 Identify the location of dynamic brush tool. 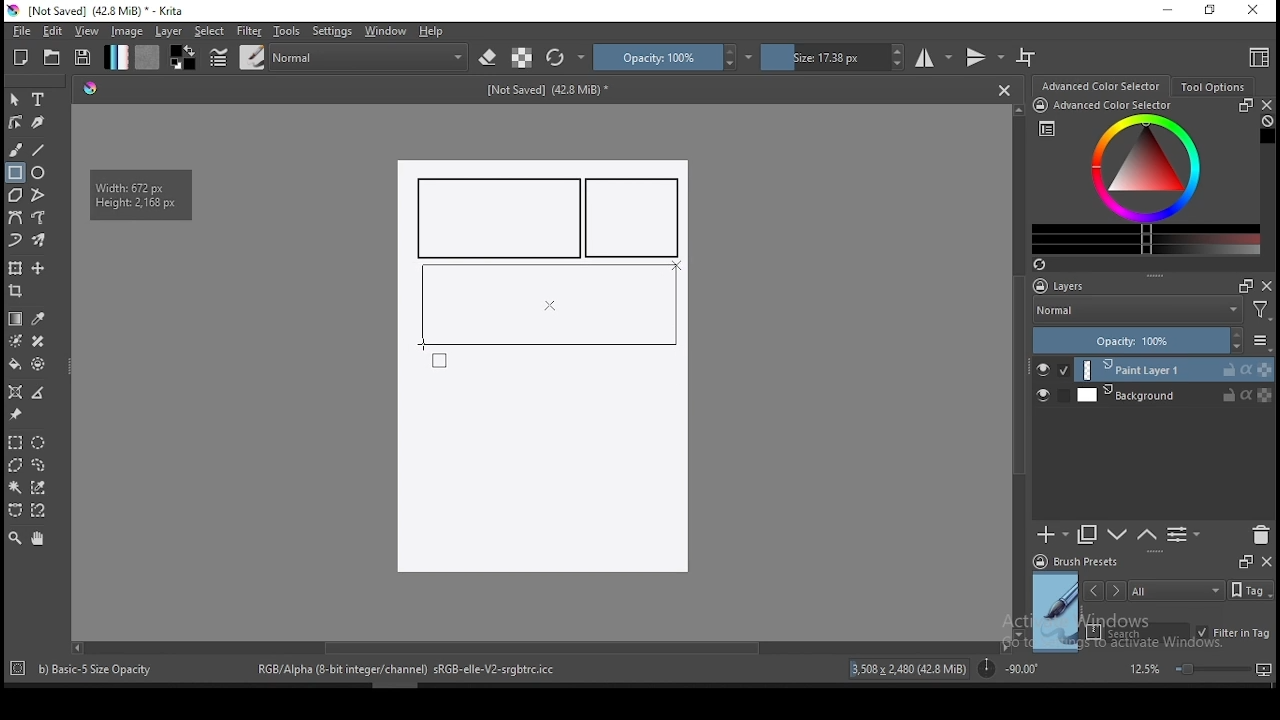
(15, 241).